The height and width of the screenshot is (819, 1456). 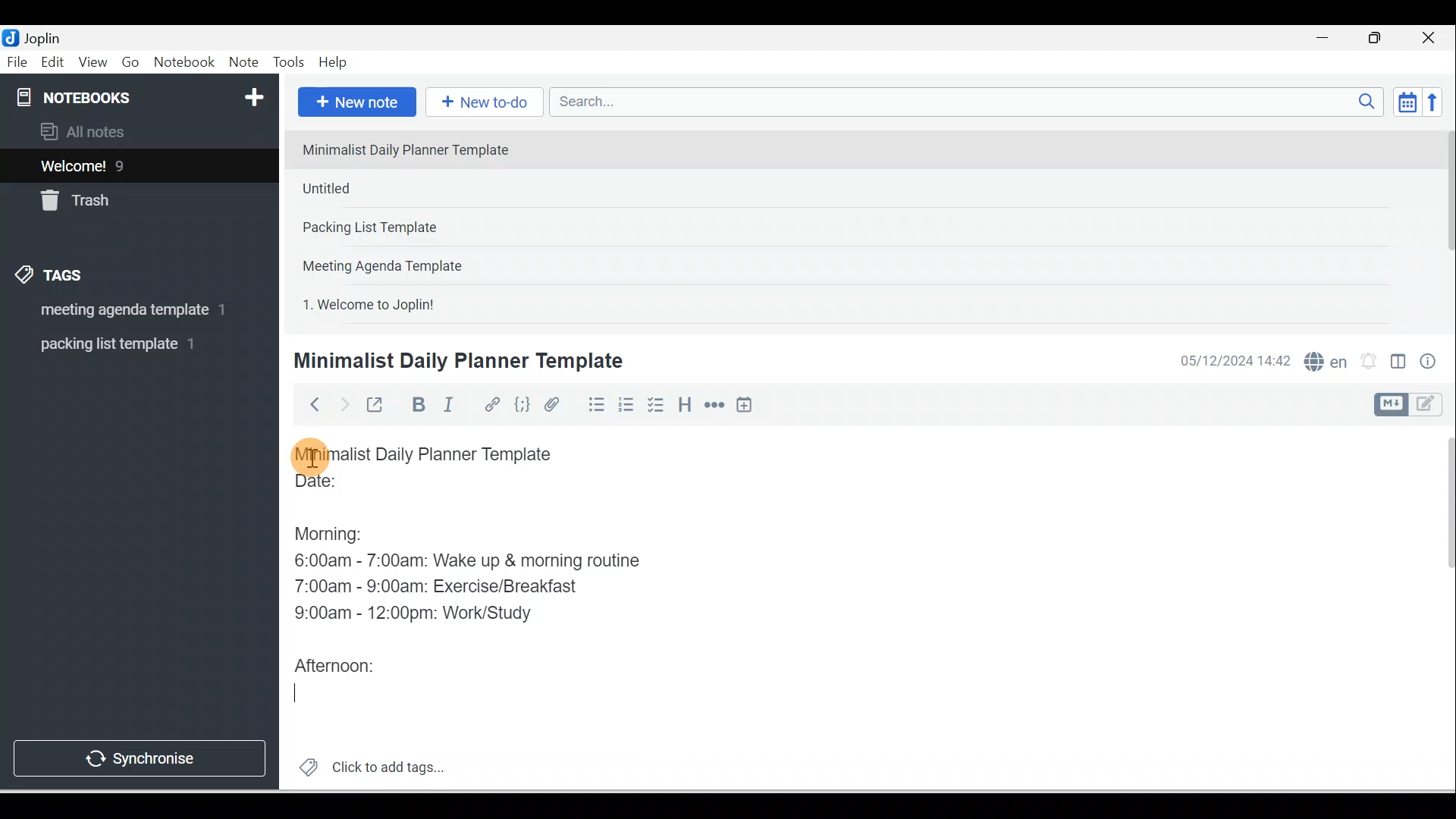 I want to click on Tag 2, so click(x=128, y=344).